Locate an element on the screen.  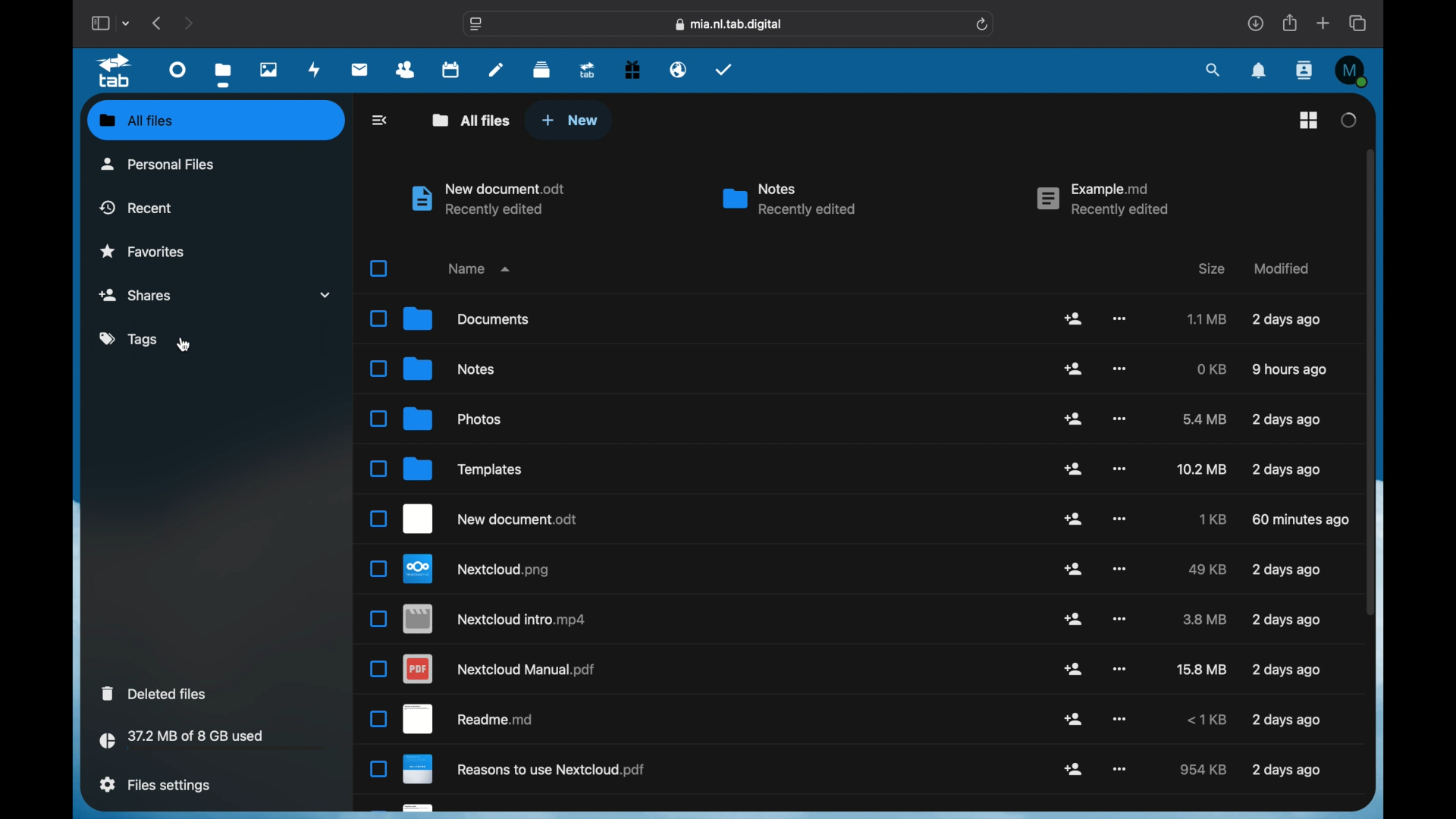
doc is located at coordinates (527, 771).